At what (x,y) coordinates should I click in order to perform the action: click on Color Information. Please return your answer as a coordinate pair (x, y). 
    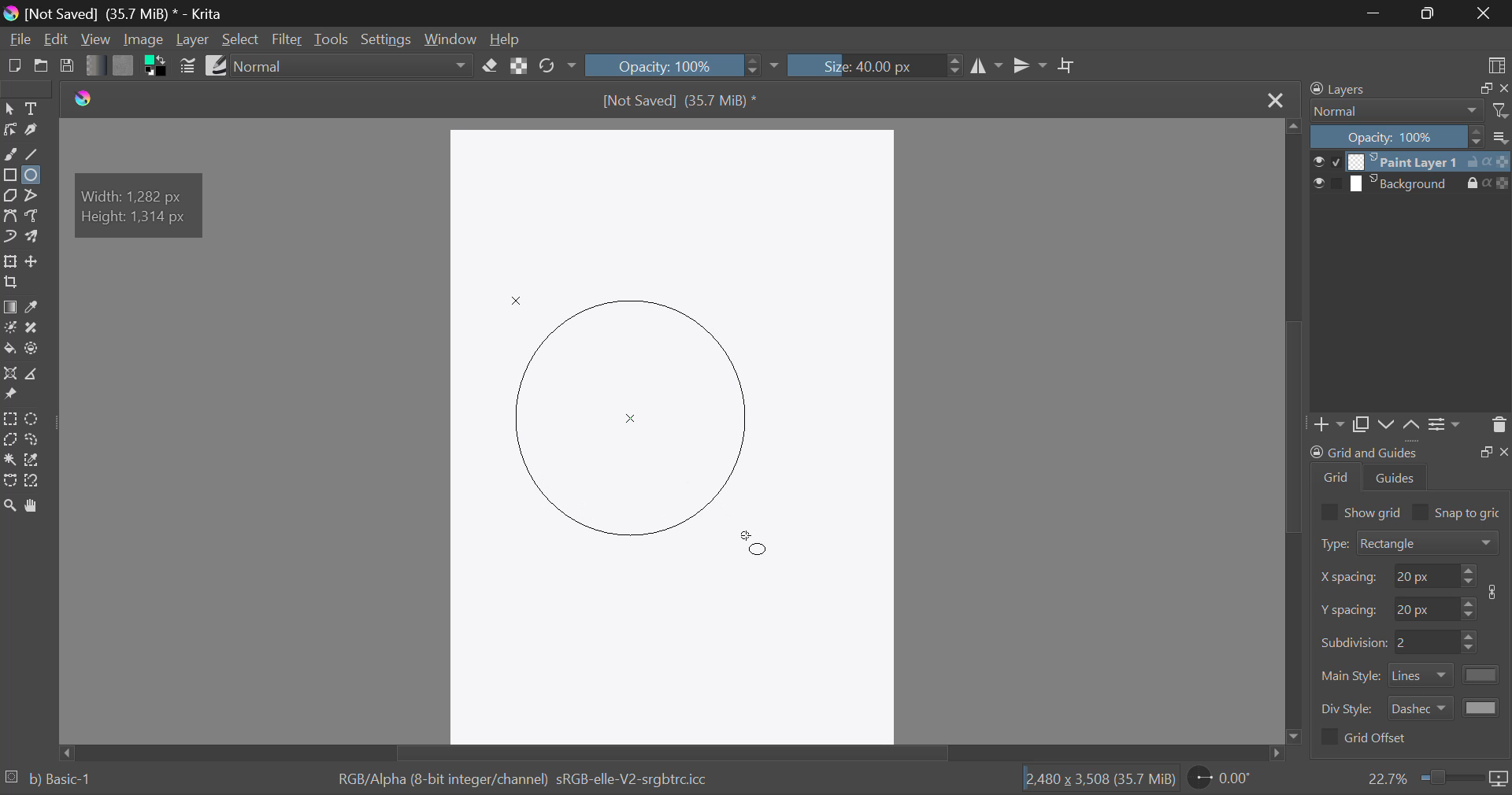
    Looking at the image, I should click on (517, 781).